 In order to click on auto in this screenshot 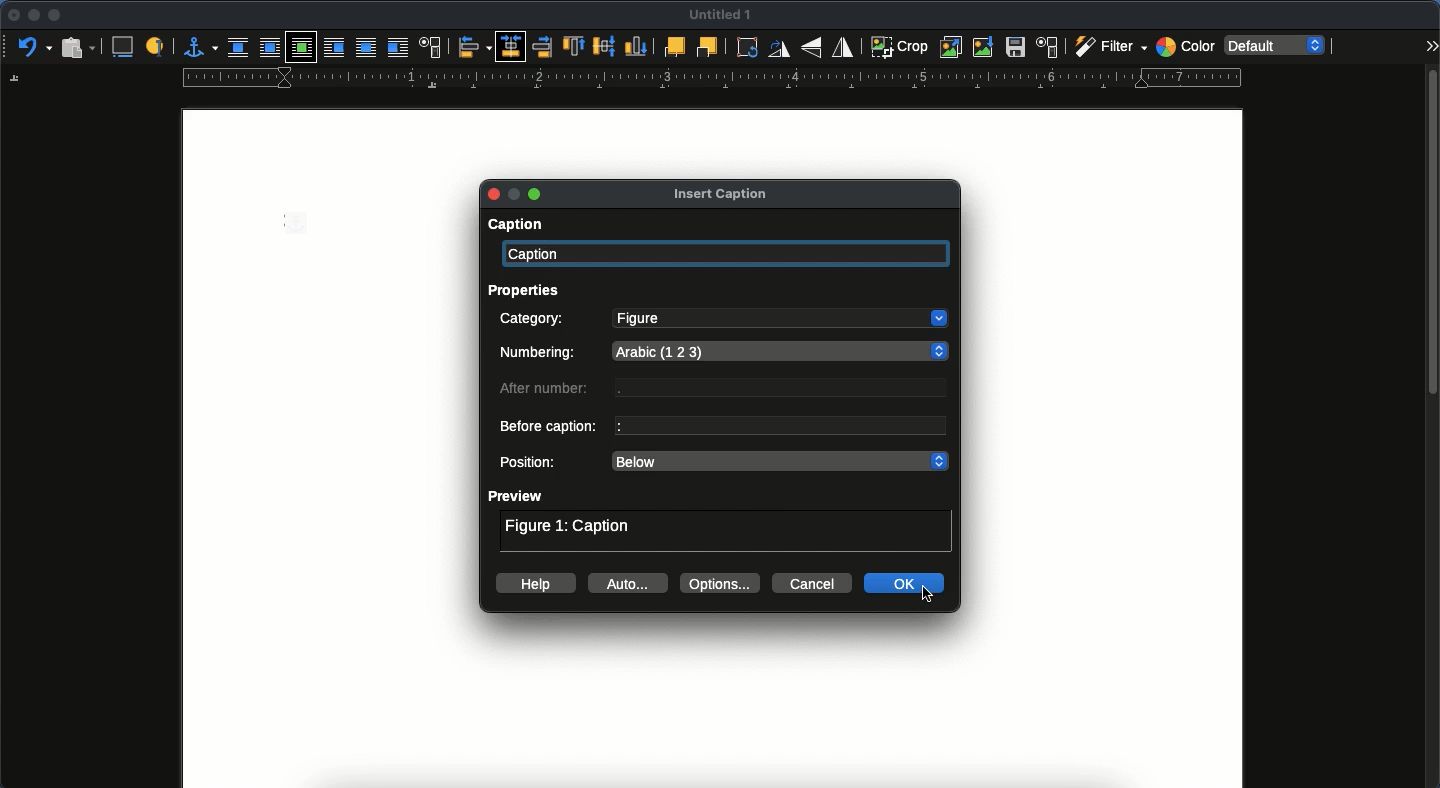, I will do `click(630, 583)`.